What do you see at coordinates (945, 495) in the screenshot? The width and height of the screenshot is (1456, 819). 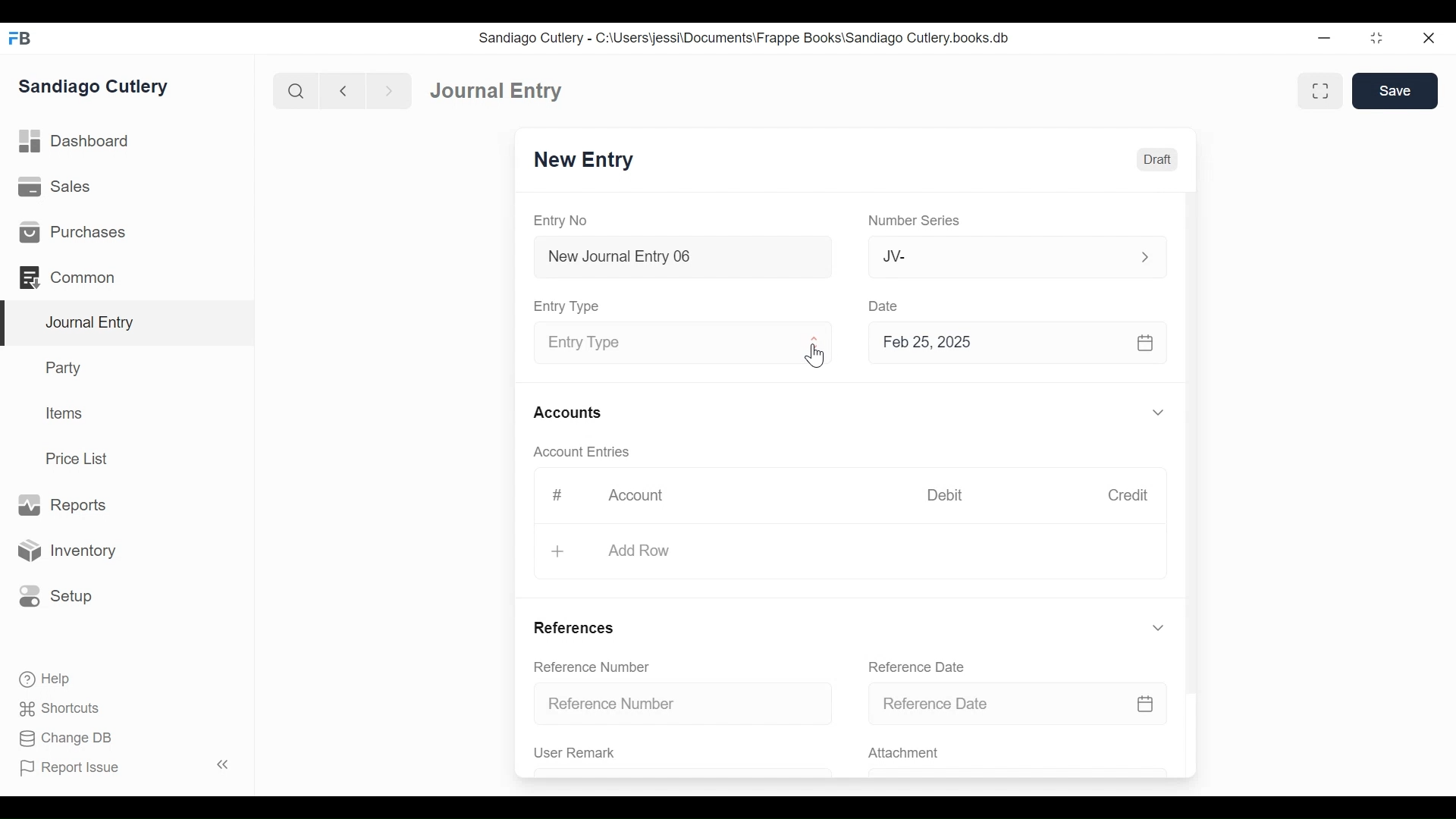 I see `Debit` at bounding box center [945, 495].